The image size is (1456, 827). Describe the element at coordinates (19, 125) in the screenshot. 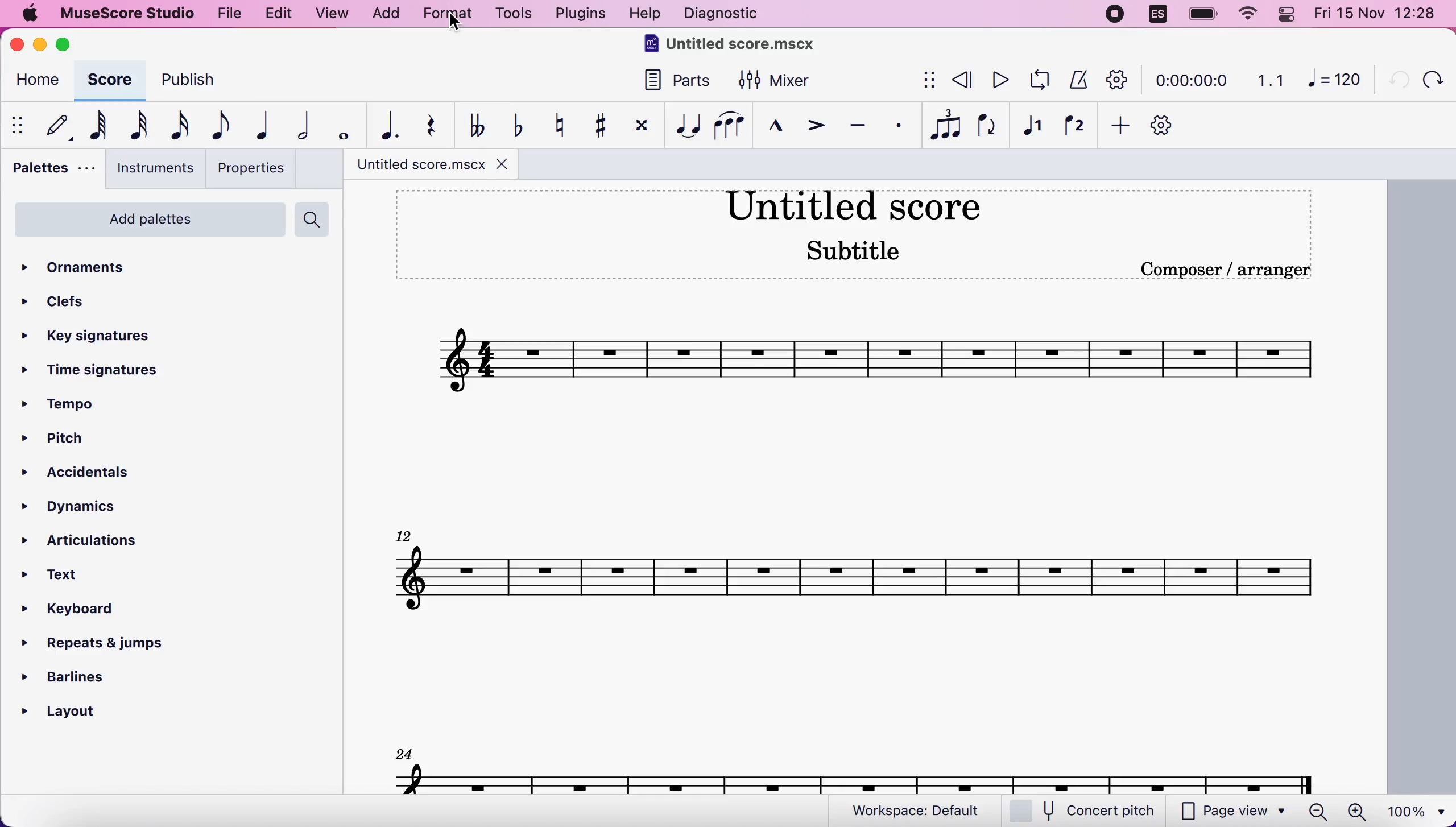

I see `show/hide` at that location.